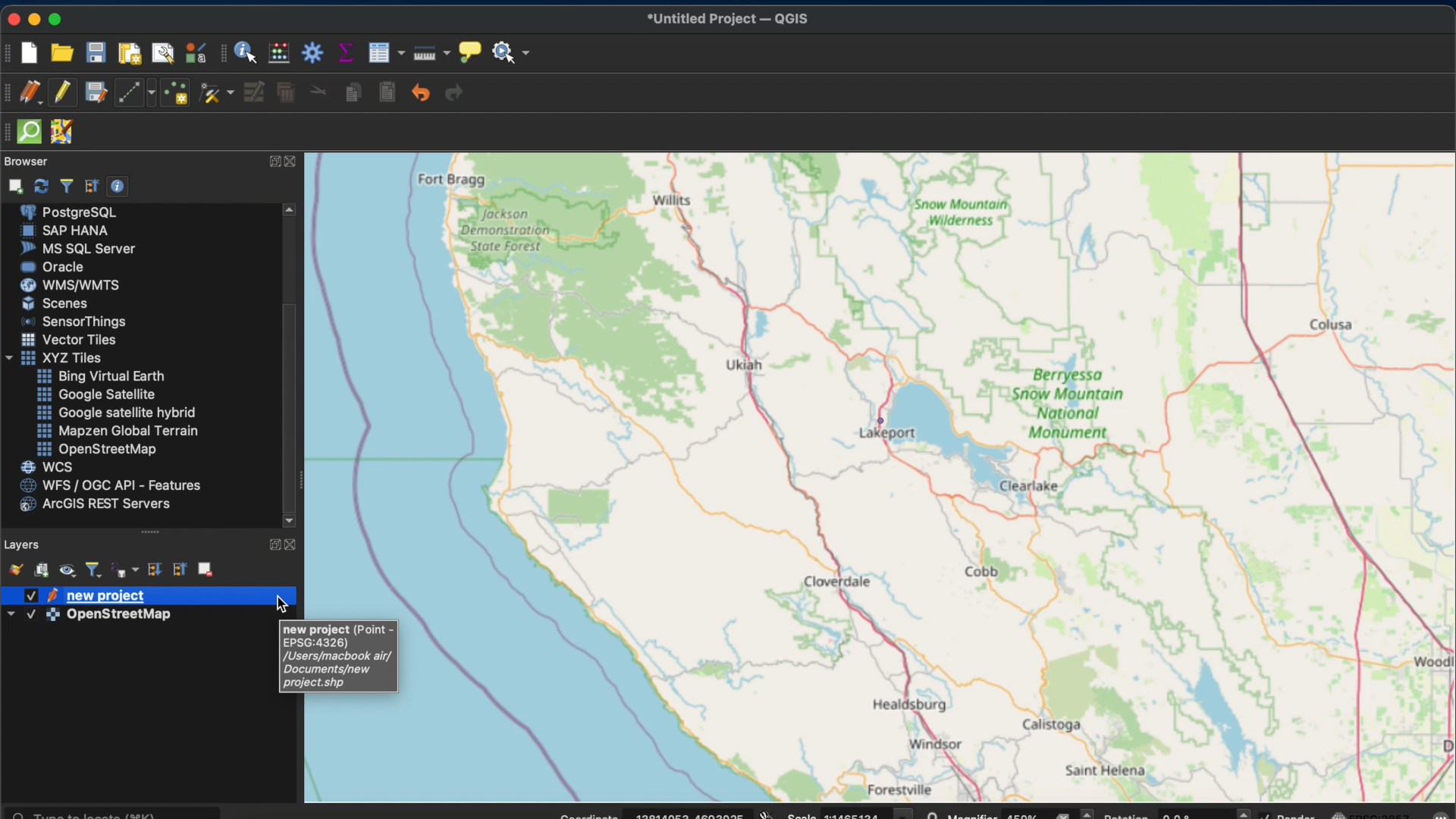 The height and width of the screenshot is (819, 1456). I want to click on mapzen global terrain, so click(116, 431).